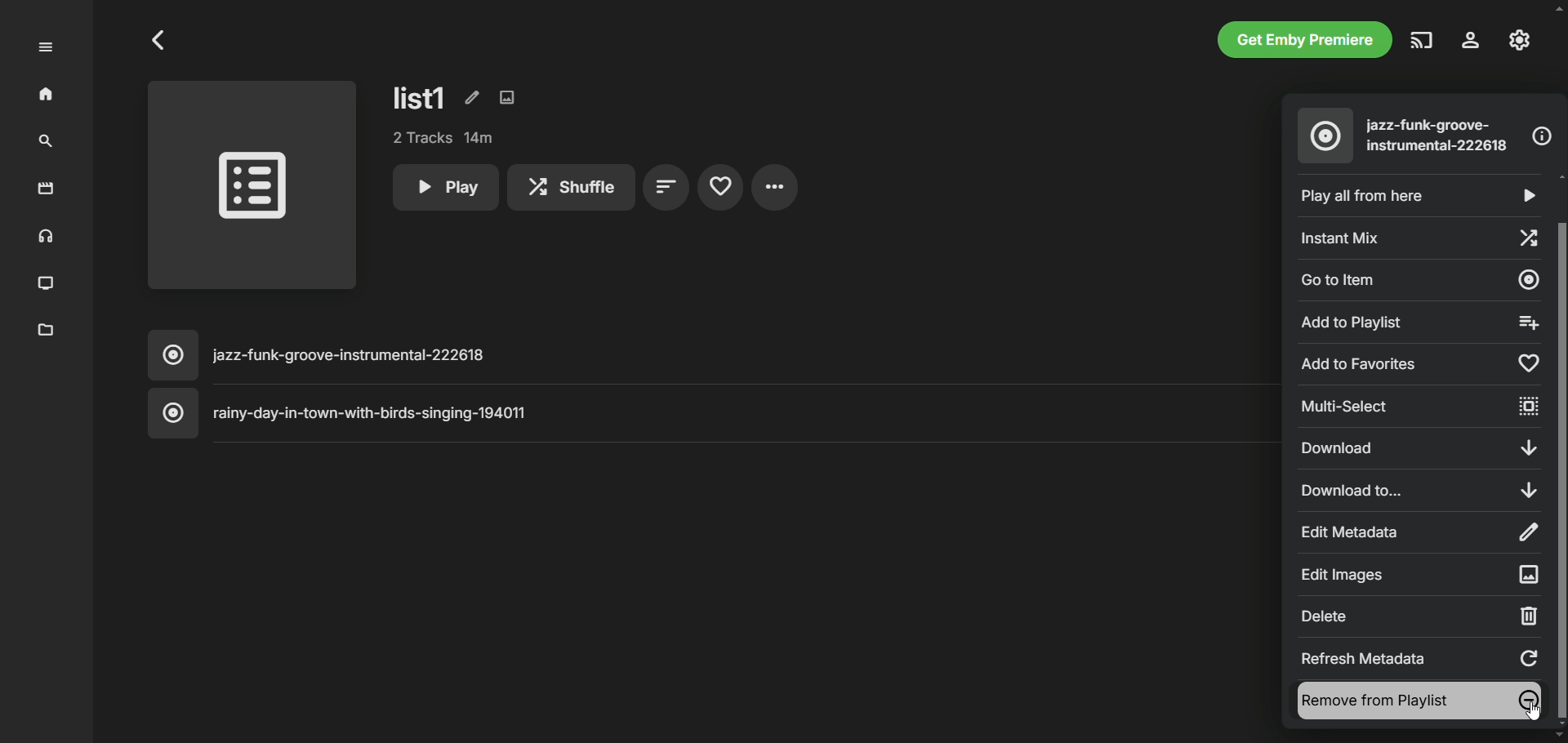  What do you see at coordinates (571, 187) in the screenshot?
I see `shuffle` at bounding box center [571, 187].